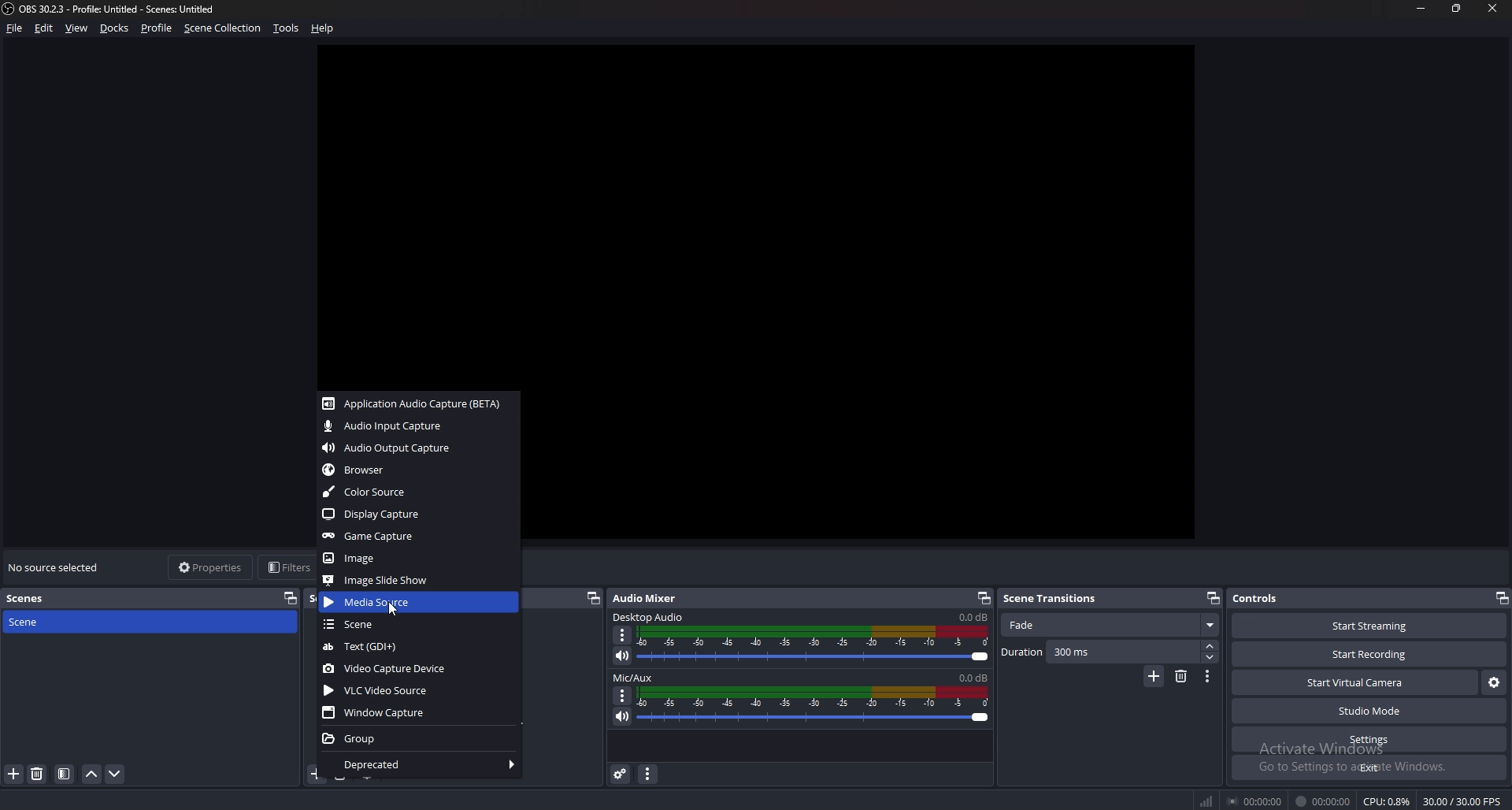 This screenshot has width=1512, height=810. Describe the element at coordinates (287, 28) in the screenshot. I see `Tools` at that location.